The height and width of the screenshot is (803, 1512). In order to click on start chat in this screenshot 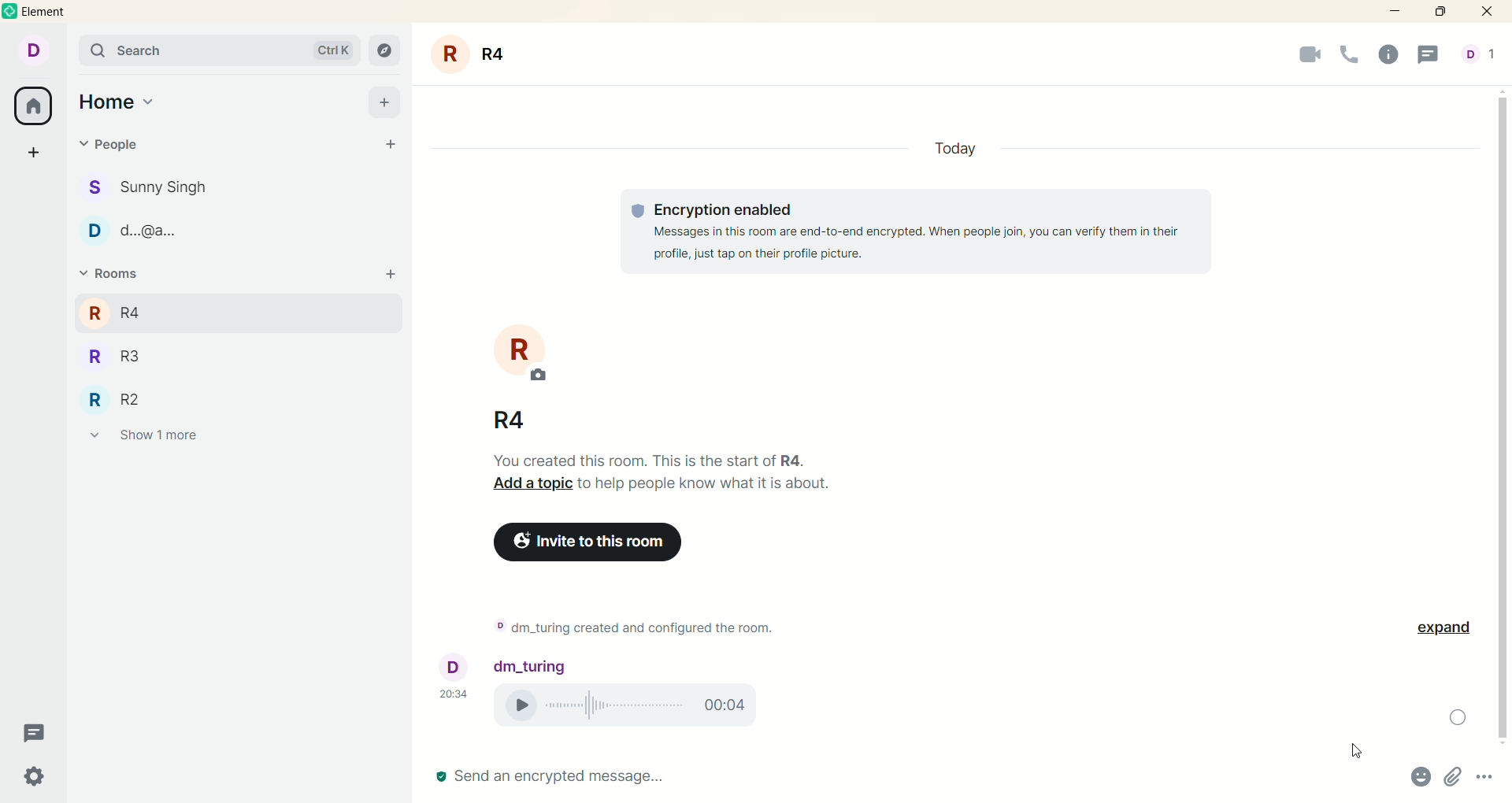, I will do `click(393, 146)`.